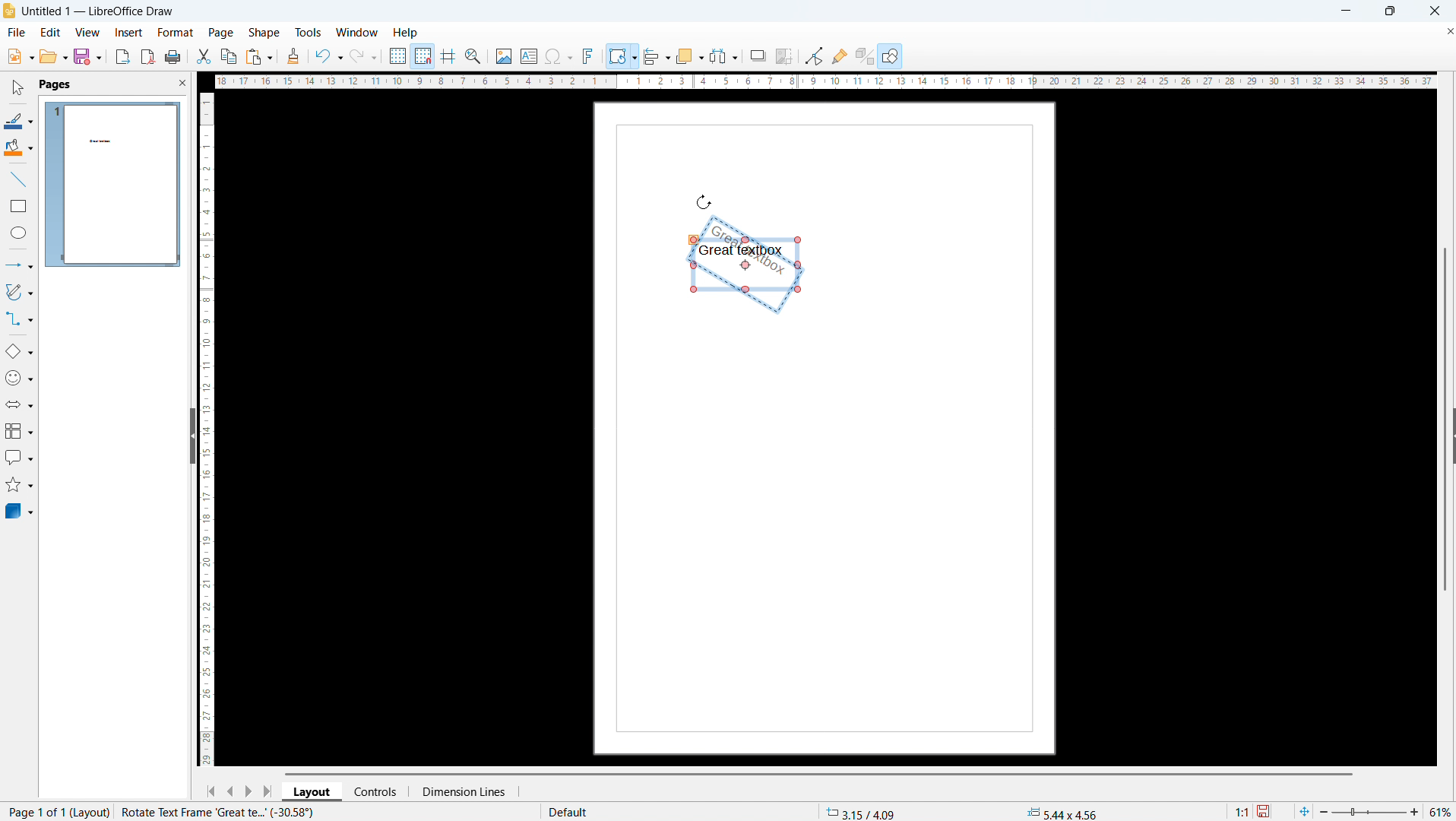  What do you see at coordinates (406, 33) in the screenshot?
I see `help` at bounding box center [406, 33].